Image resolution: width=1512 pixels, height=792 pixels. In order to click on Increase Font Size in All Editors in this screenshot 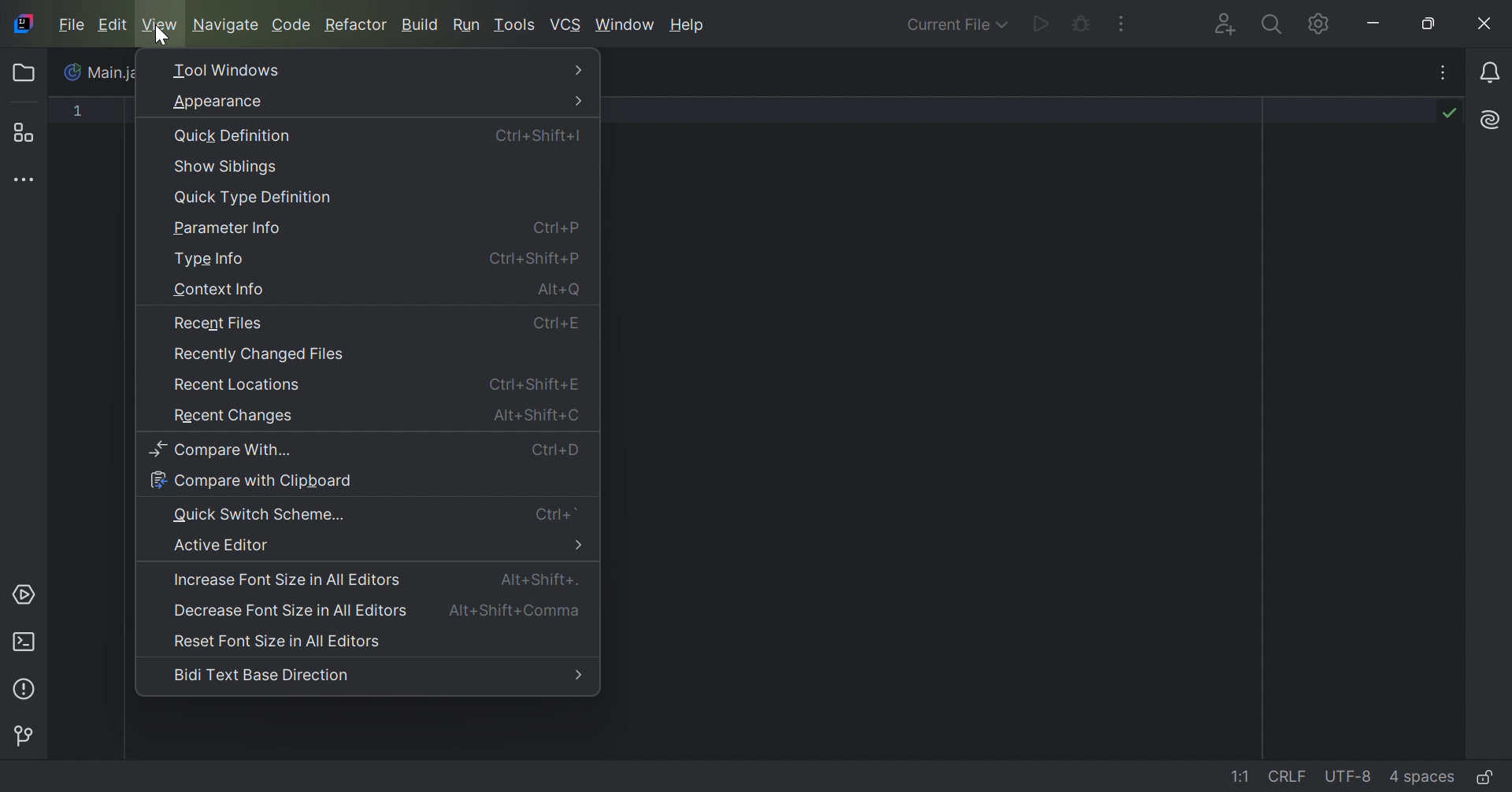, I will do `click(288, 580)`.